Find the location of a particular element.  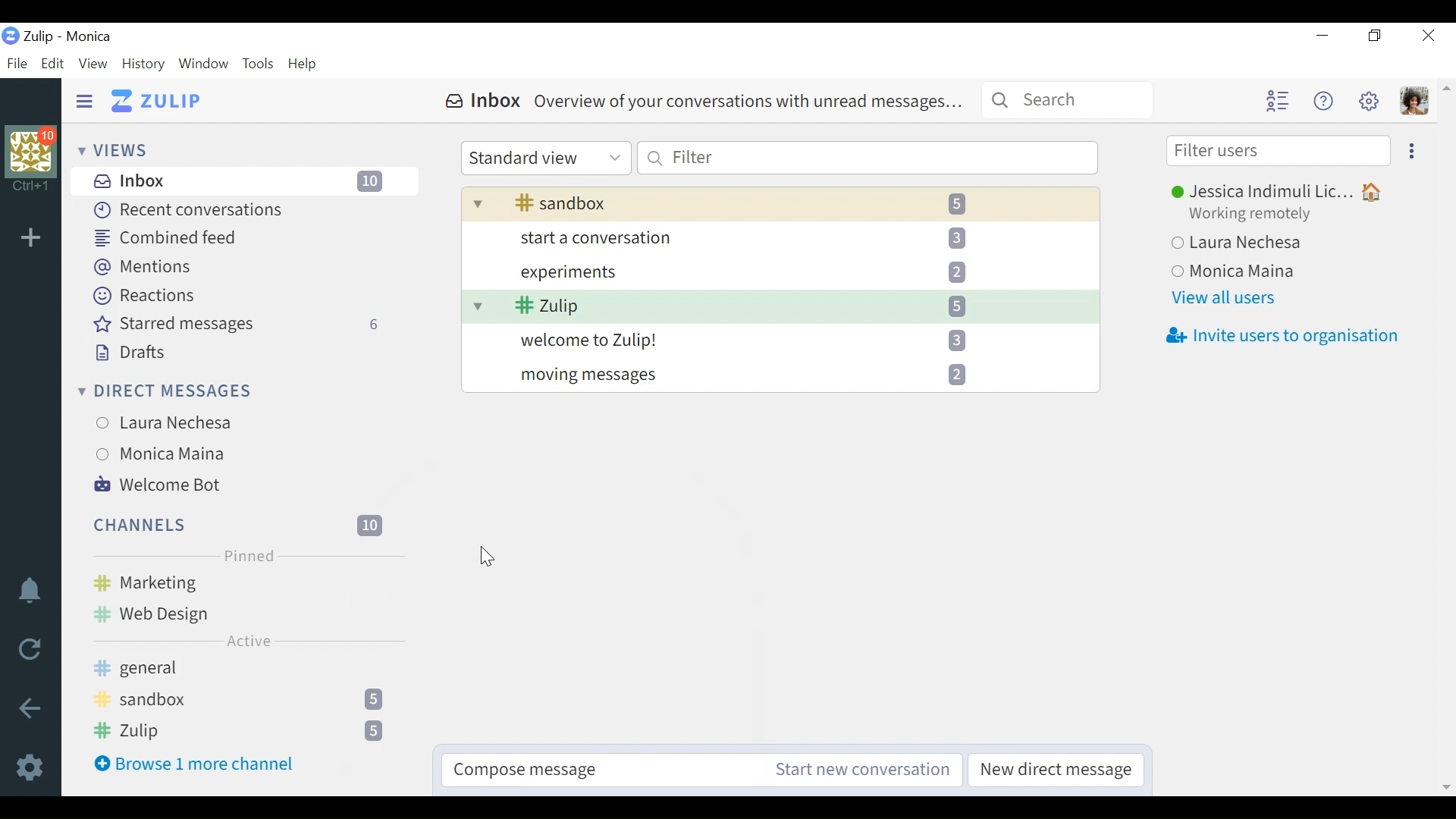

Inbox Overview of your conversations with unread messages... is located at coordinates (704, 102).